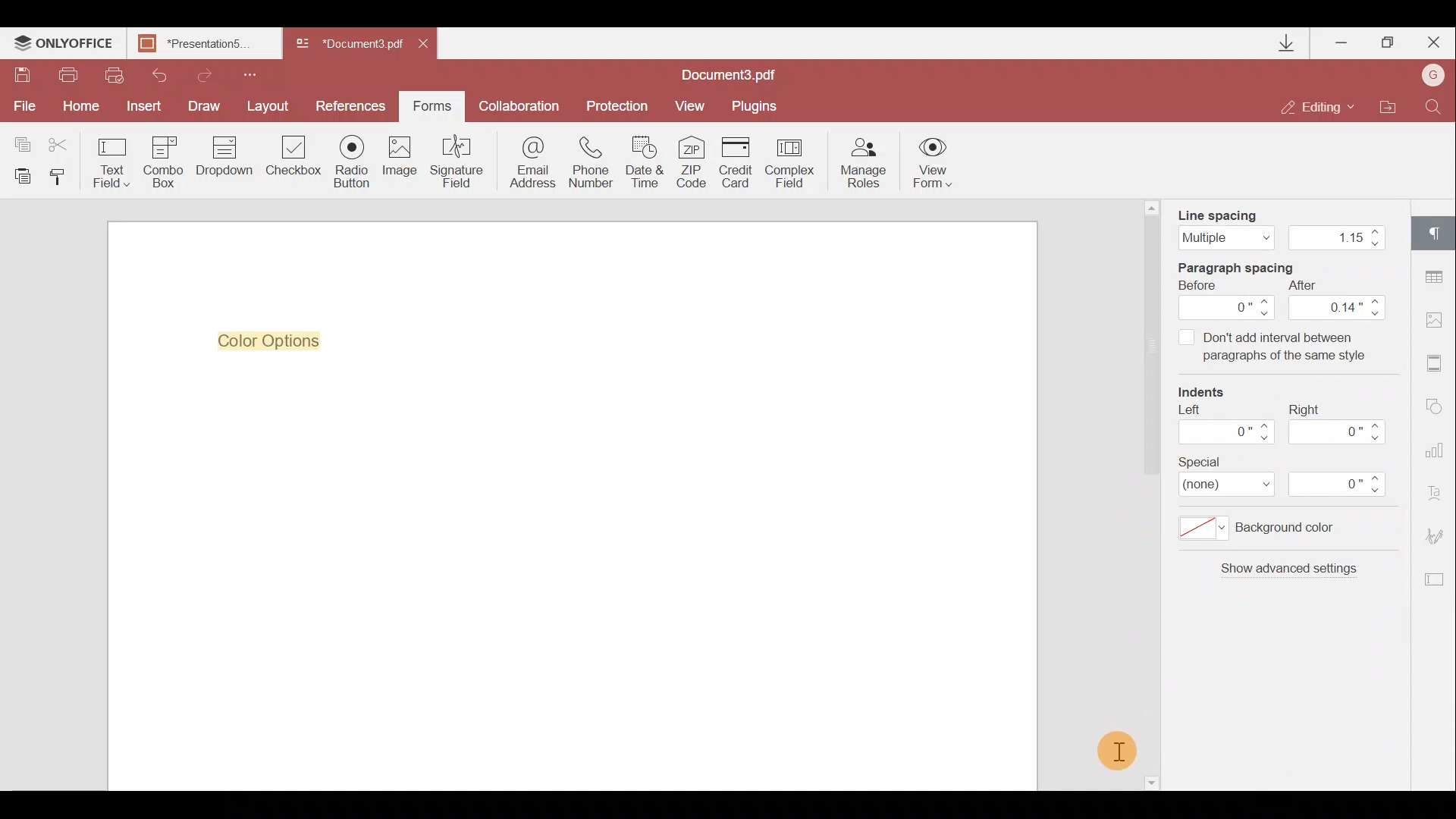 The height and width of the screenshot is (819, 1456). What do you see at coordinates (1439, 319) in the screenshot?
I see `Image settings` at bounding box center [1439, 319].